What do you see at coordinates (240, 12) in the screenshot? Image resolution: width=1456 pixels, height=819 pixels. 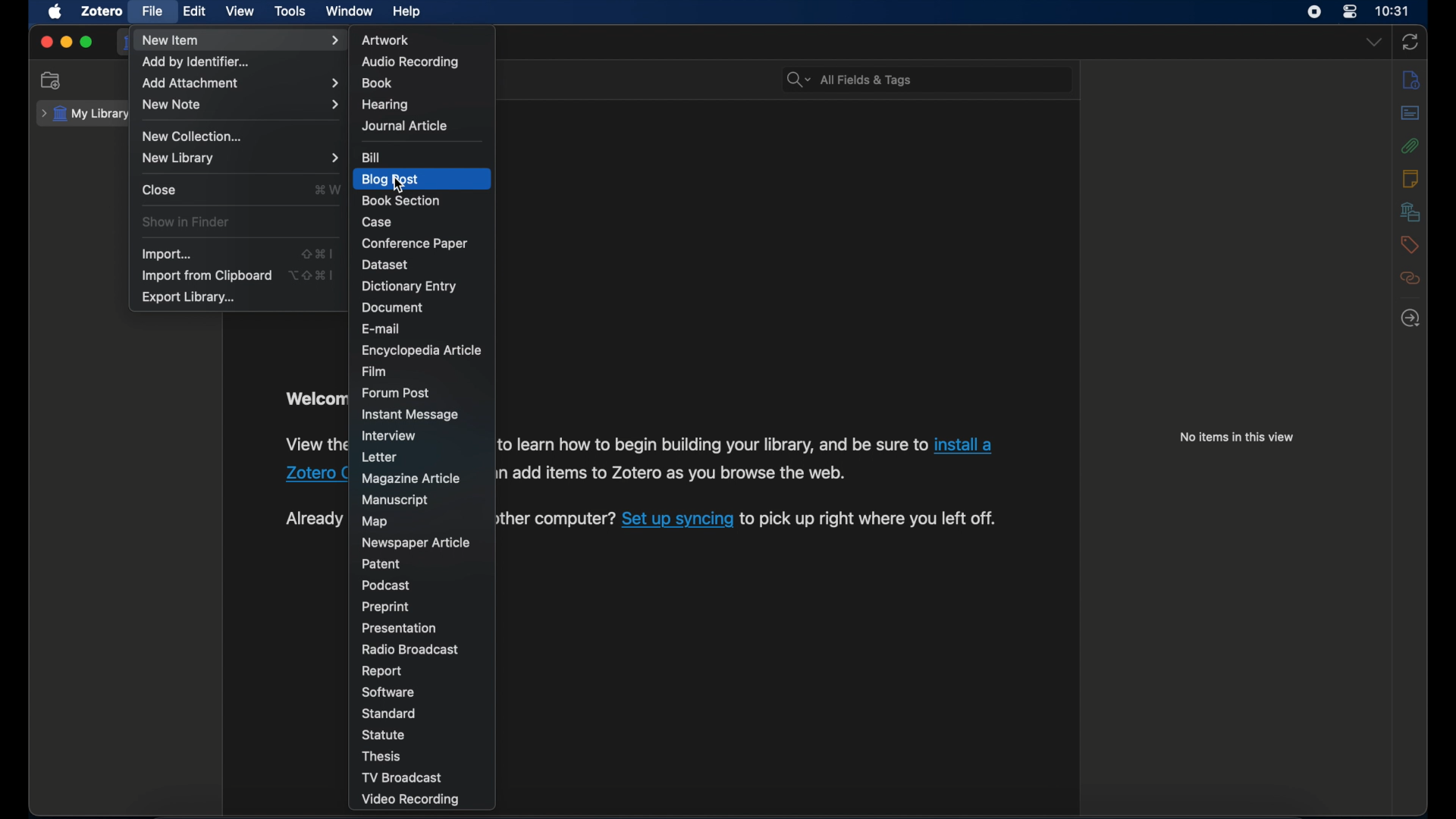 I see `view` at bounding box center [240, 12].